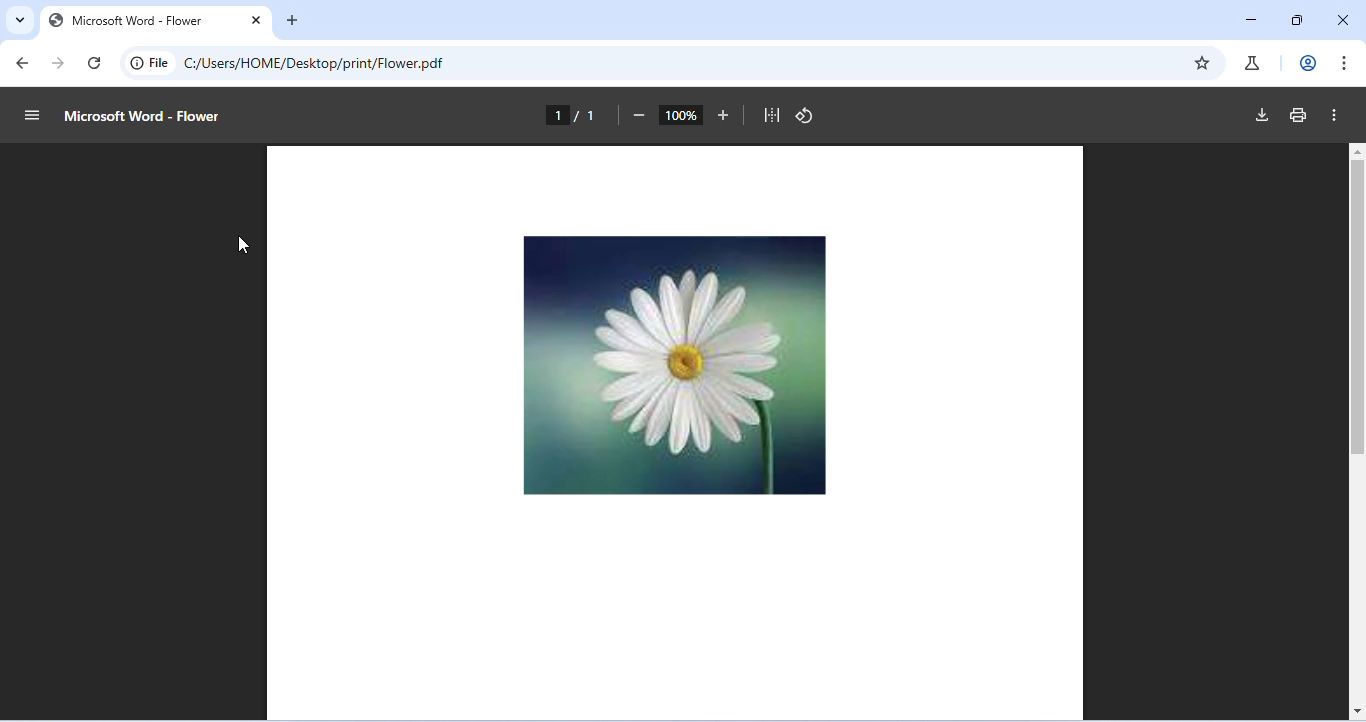  I want to click on vertical scroll bar, so click(1356, 315).